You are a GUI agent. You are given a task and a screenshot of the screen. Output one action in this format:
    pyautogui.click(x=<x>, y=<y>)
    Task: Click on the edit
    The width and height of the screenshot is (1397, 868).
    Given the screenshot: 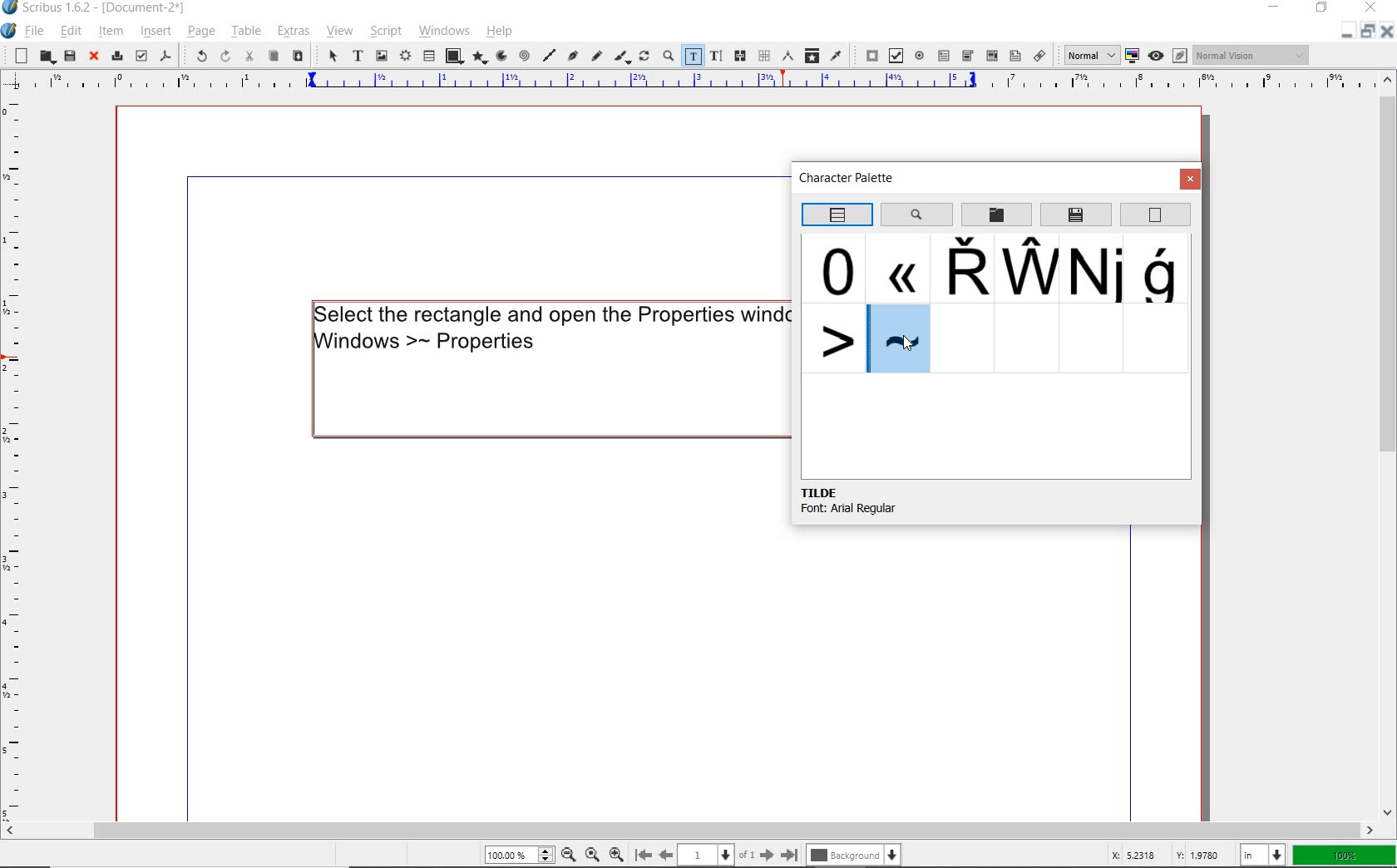 What is the action you would take?
    pyautogui.click(x=72, y=31)
    